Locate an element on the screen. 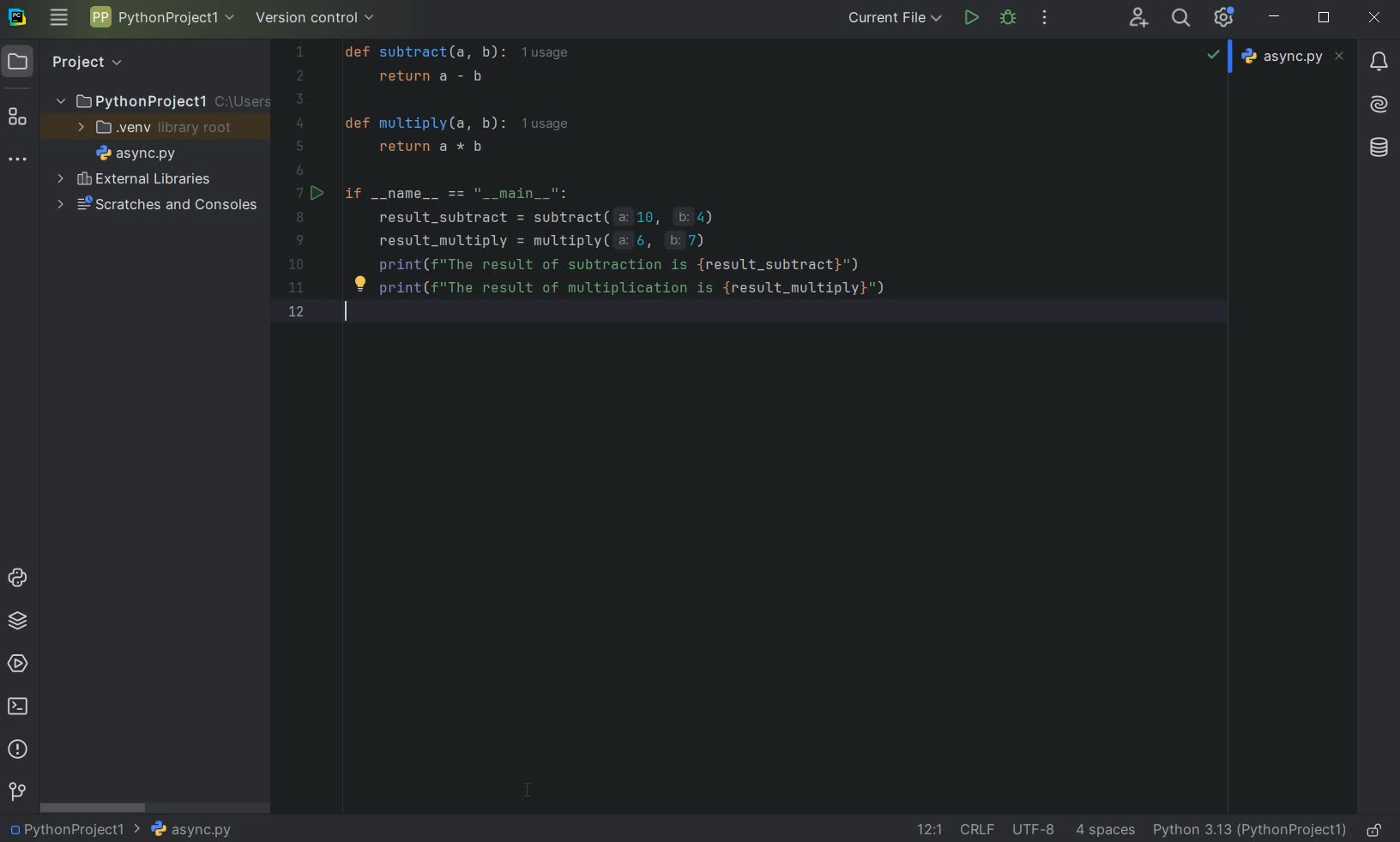 The image size is (1400, 842). file name is located at coordinates (183, 829).